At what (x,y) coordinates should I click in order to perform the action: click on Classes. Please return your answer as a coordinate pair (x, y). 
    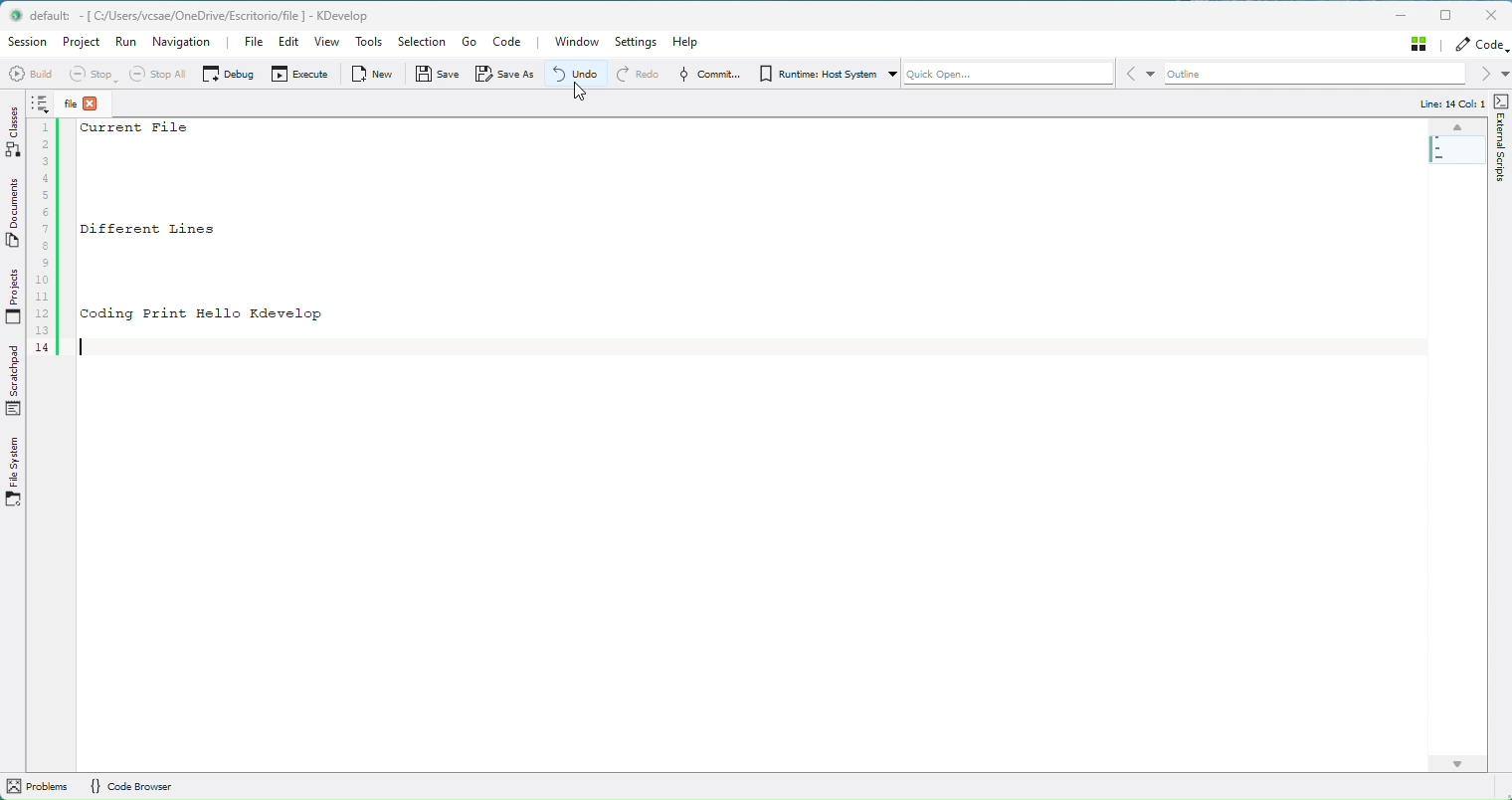
    Looking at the image, I should click on (15, 129).